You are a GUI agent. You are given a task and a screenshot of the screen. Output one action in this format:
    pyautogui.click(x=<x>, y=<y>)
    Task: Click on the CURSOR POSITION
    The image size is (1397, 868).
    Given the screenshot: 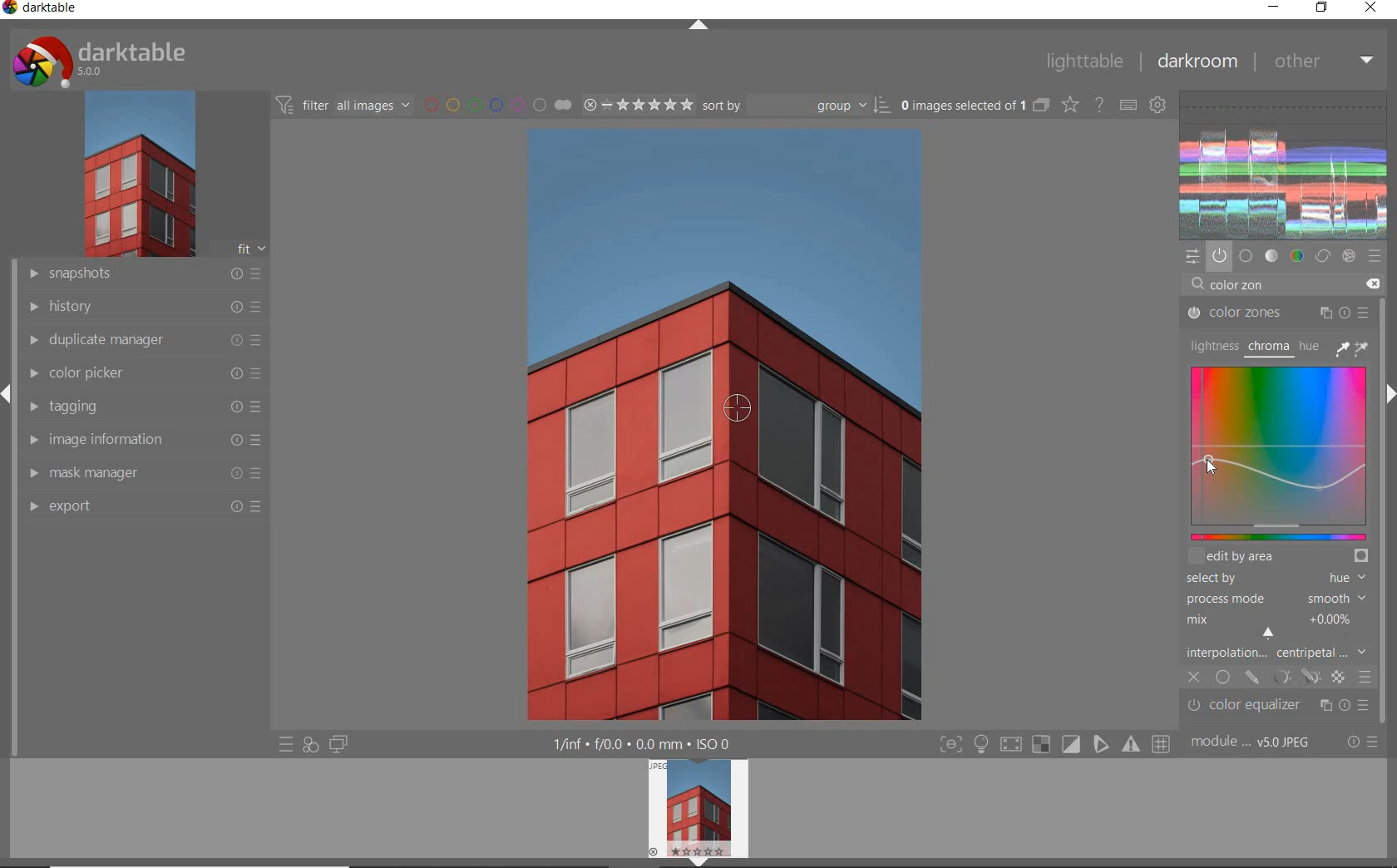 What is the action you would take?
    pyautogui.click(x=1208, y=462)
    